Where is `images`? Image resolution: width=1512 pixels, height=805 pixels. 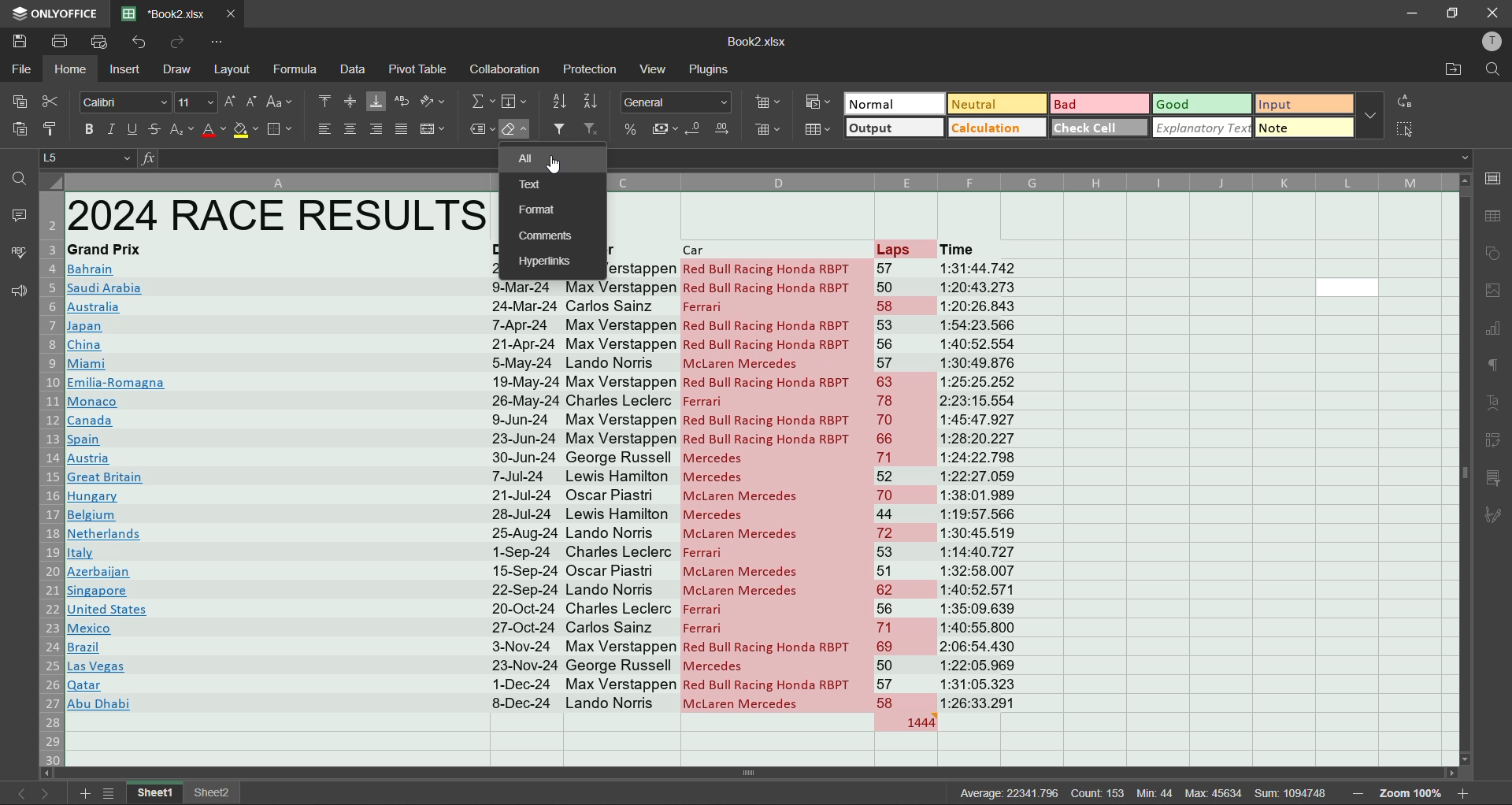 images is located at coordinates (1492, 293).